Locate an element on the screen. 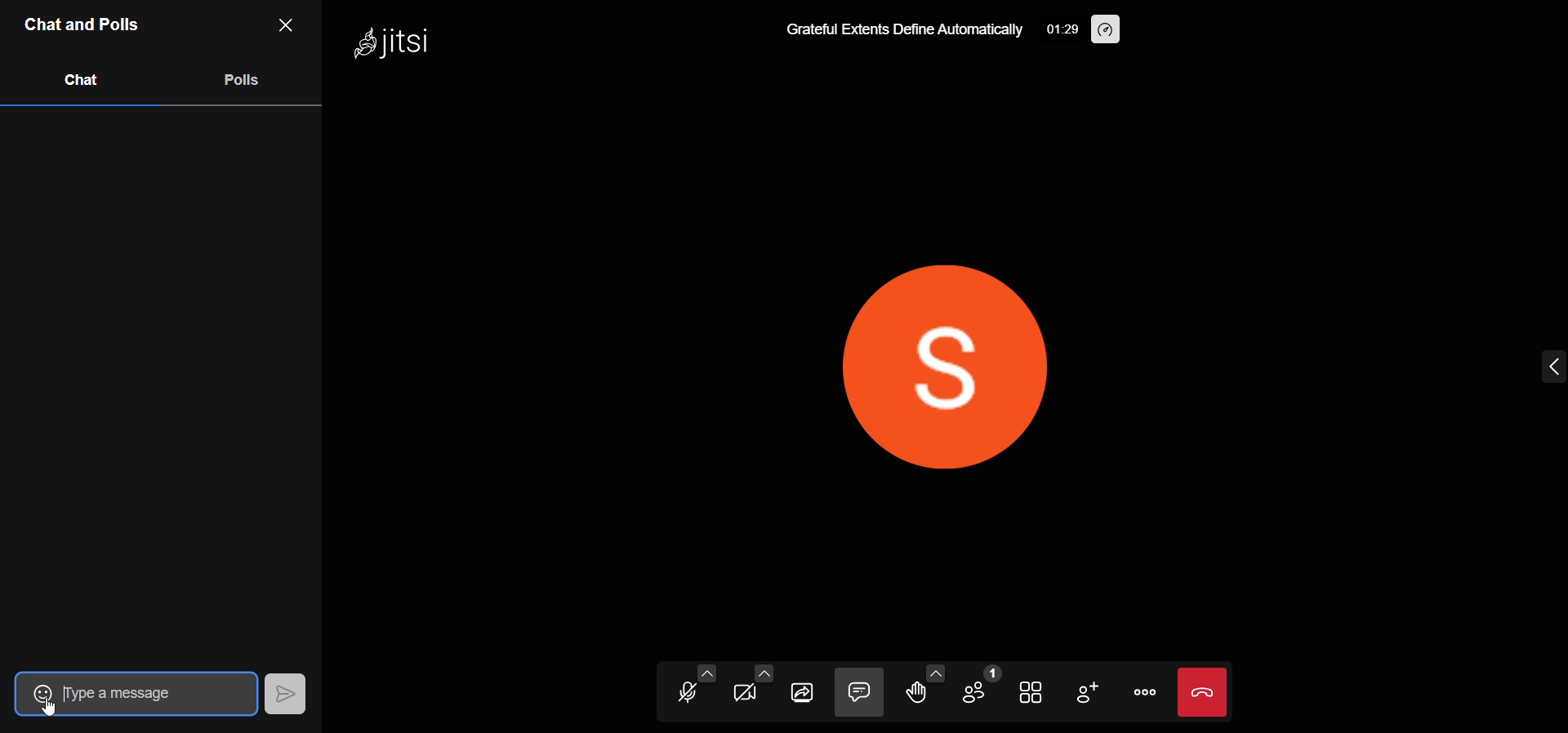  video setting is located at coordinates (764, 672).